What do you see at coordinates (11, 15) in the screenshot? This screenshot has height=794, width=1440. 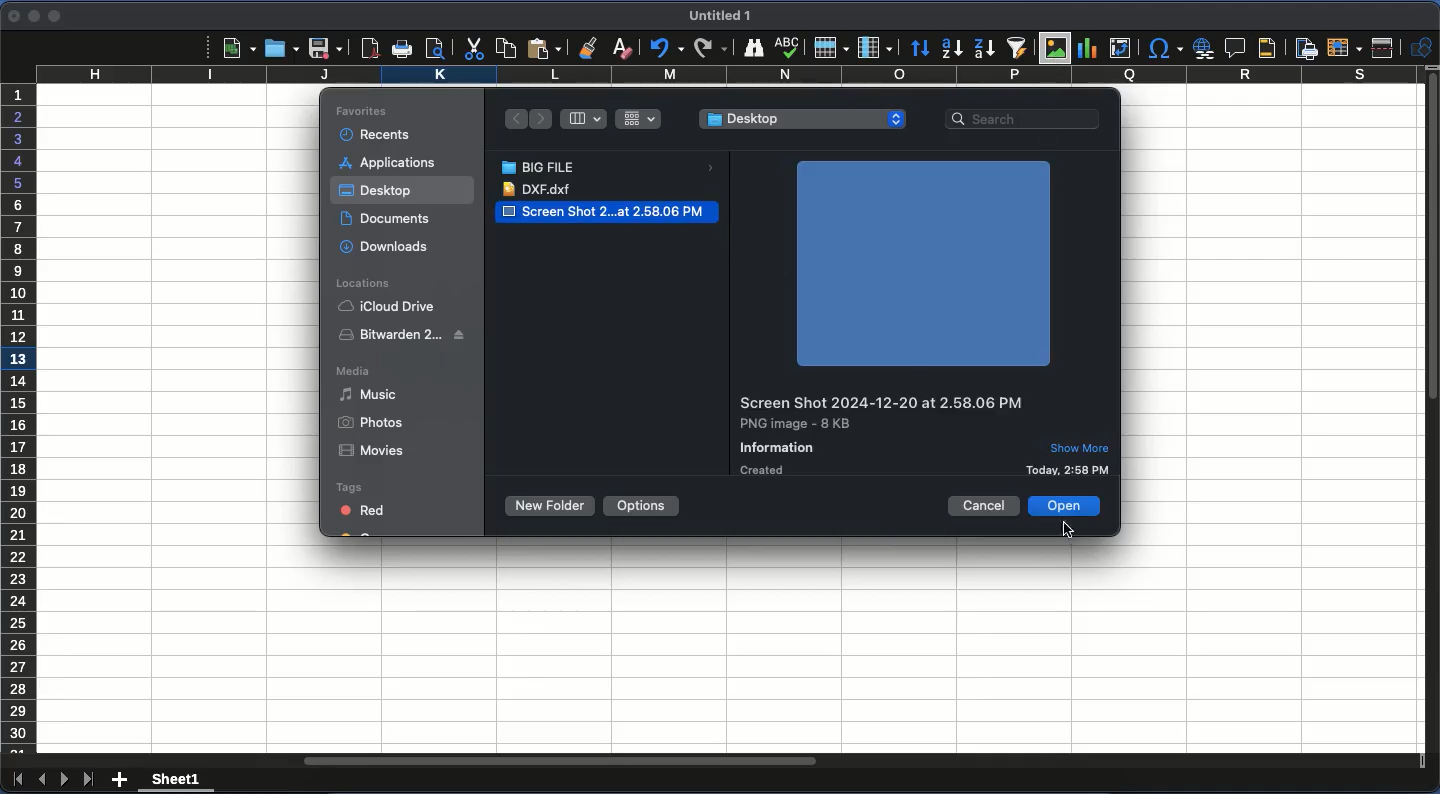 I see `close` at bounding box center [11, 15].